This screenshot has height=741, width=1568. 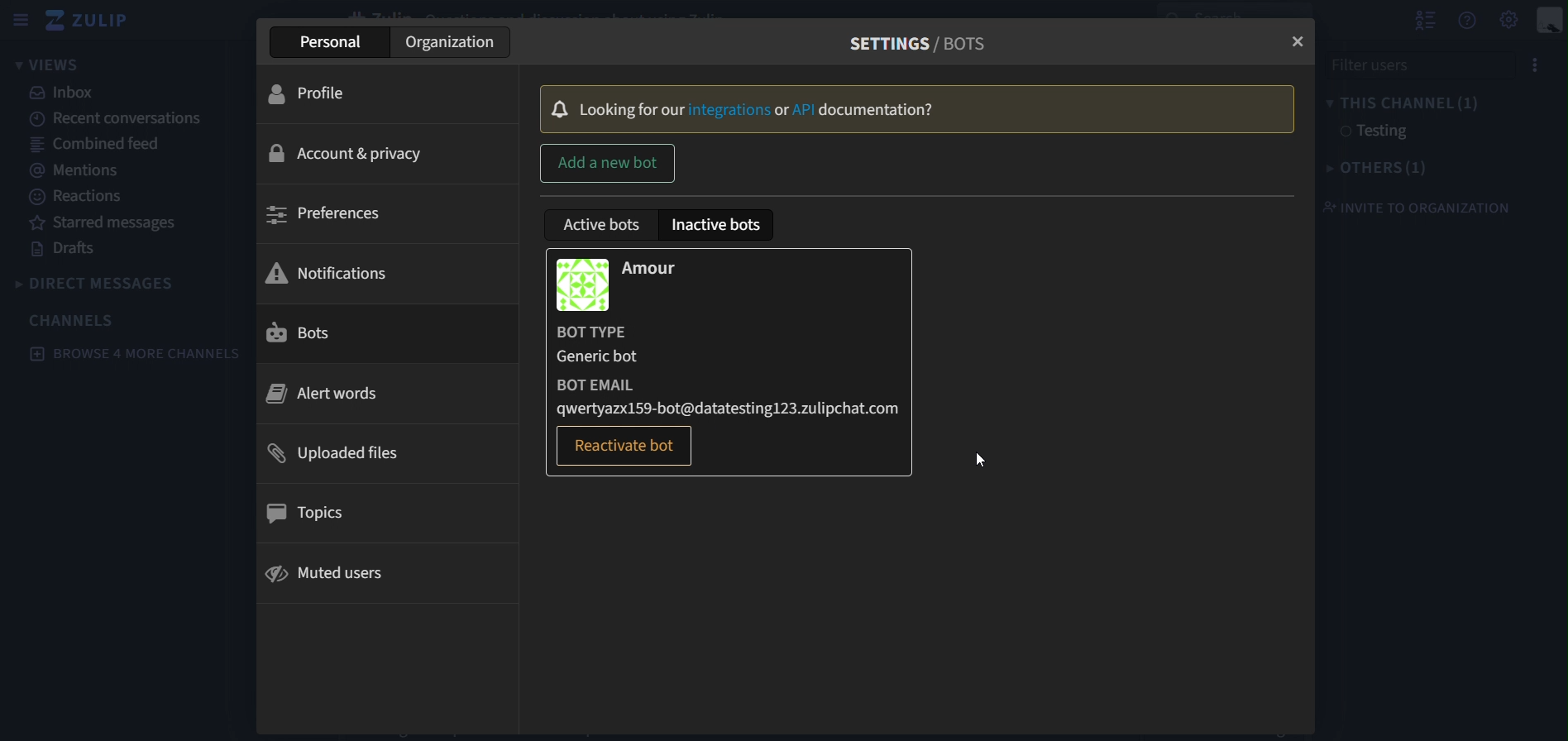 What do you see at coordinates (632, 109) in the screenshot?
I see `Locking for our` at bounding box center [632, 109].